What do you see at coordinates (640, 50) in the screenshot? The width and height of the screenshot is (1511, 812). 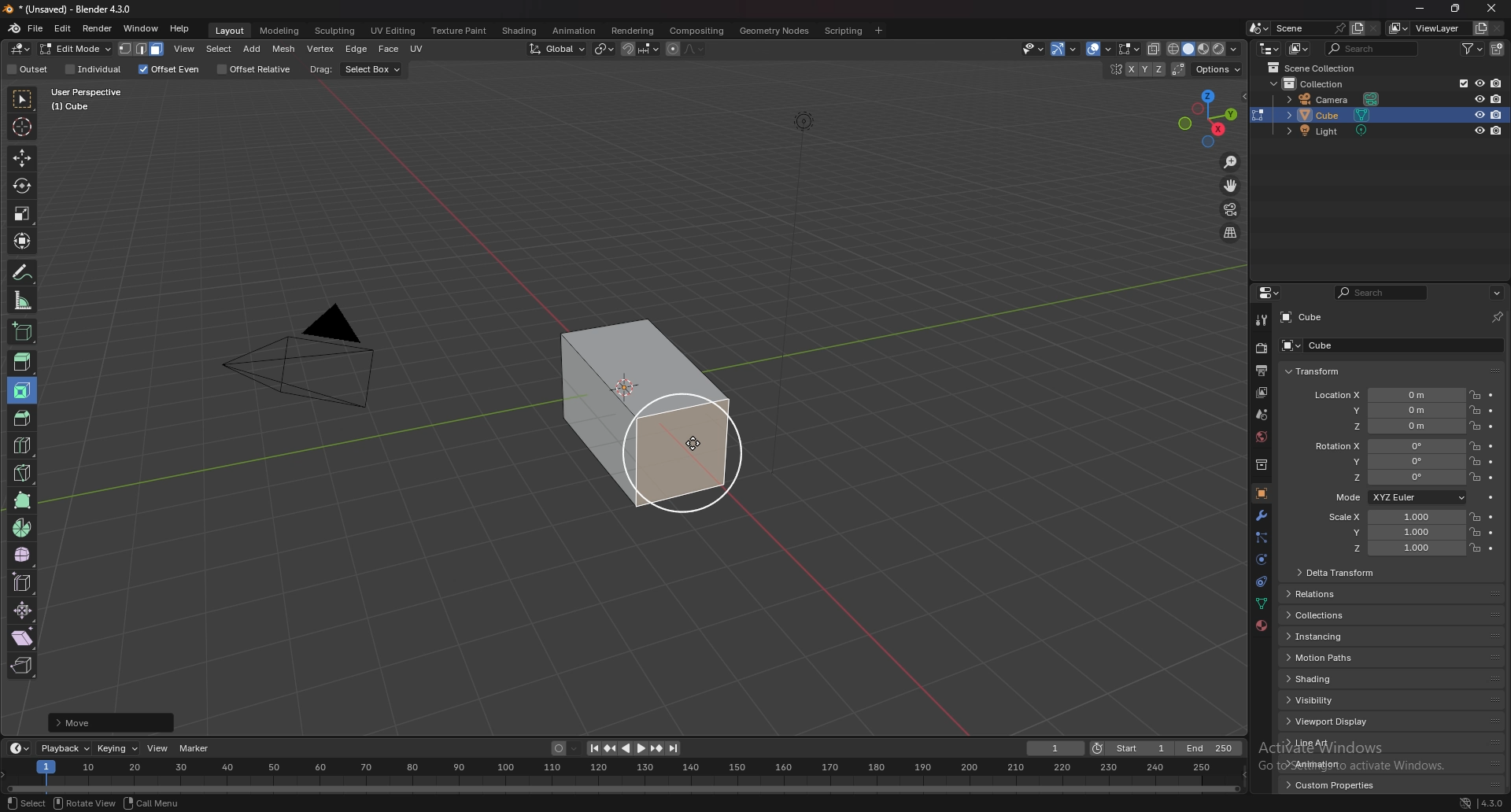 I see `snapping` at bounding box center [640, 50].